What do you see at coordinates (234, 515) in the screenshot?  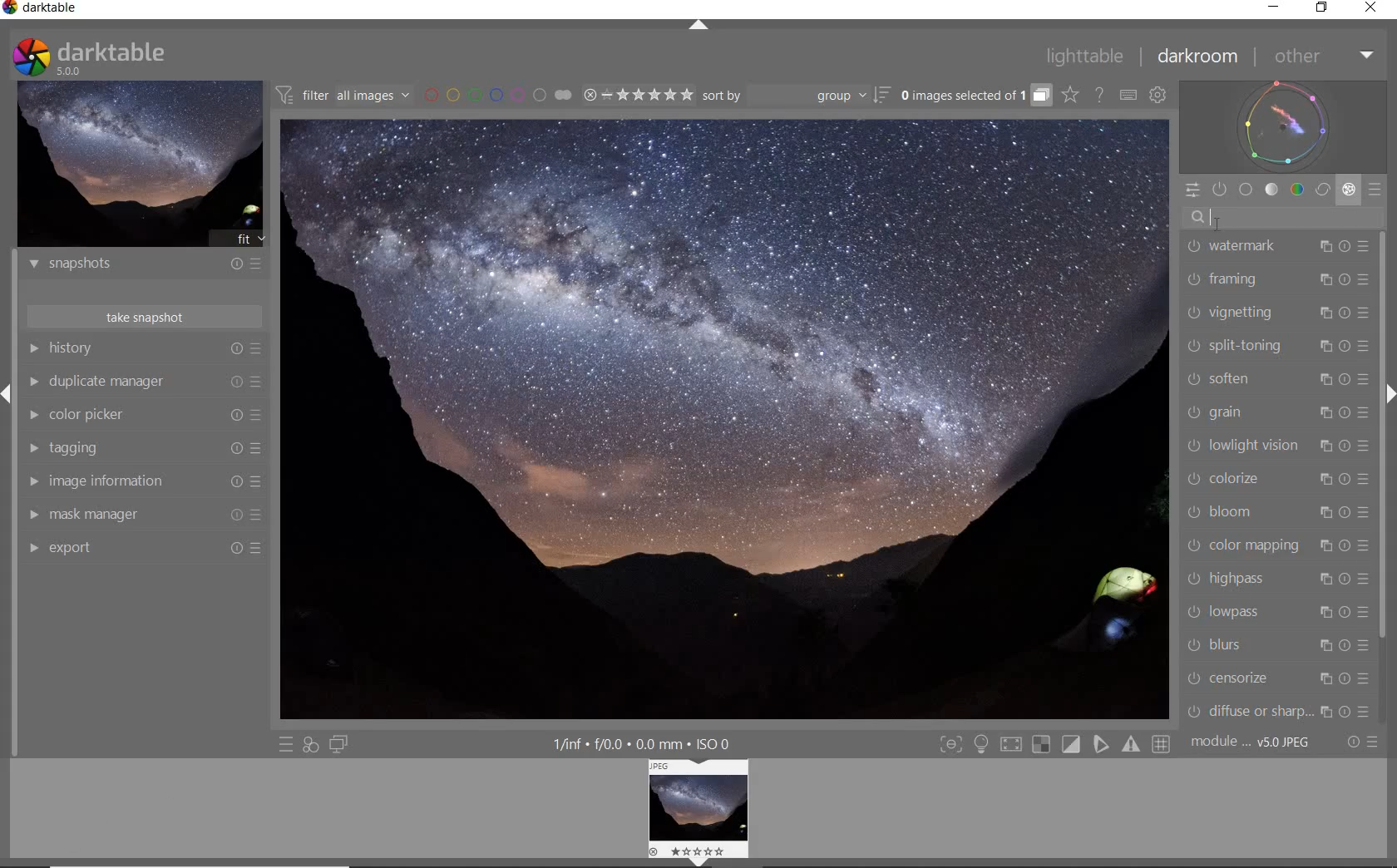 I see `Reset` at bounding box center [234, 515].